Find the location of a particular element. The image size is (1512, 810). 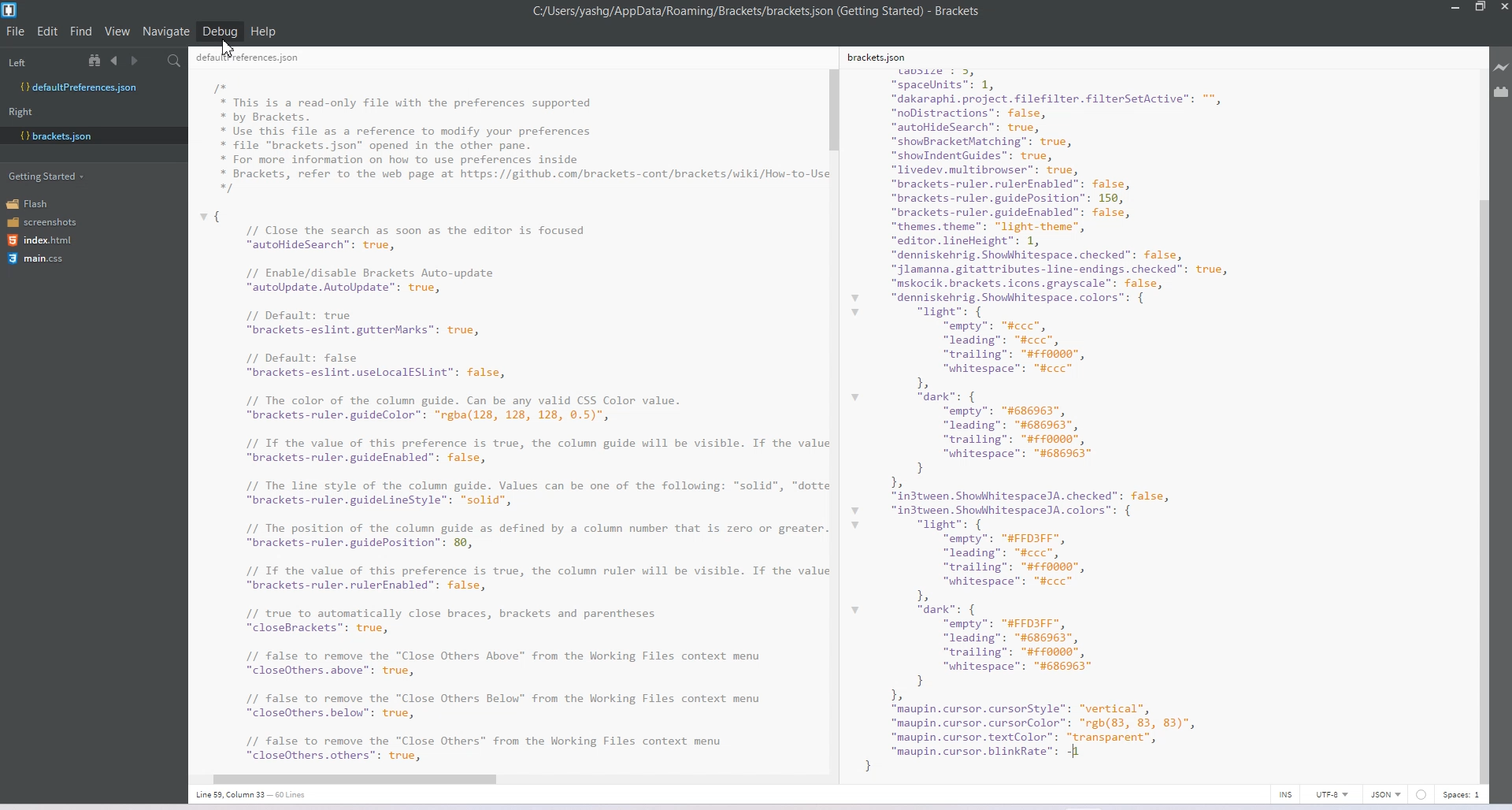

Navigate Forward is located at coordinates (136, 61).